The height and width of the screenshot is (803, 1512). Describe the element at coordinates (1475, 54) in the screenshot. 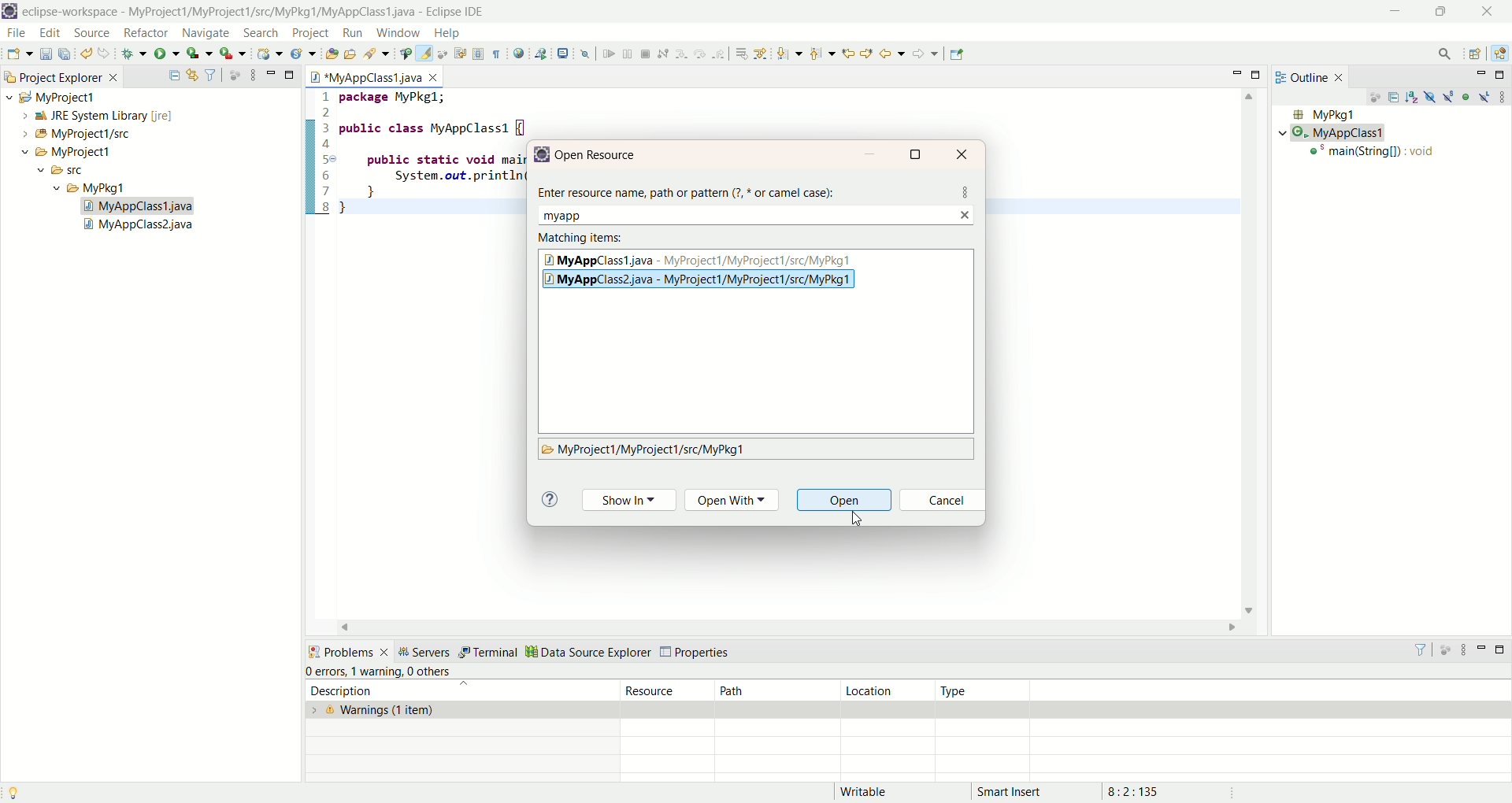

I see `open perspective` at that location.